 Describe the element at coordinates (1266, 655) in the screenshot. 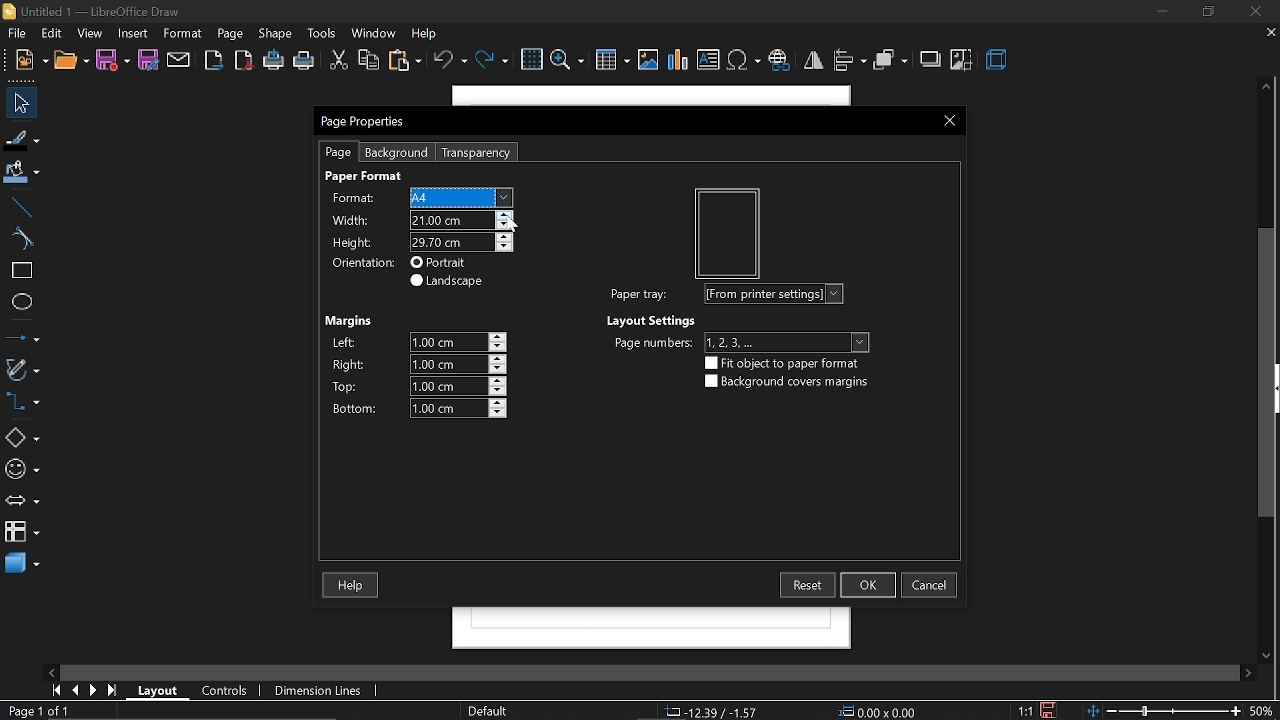

I see `move down` at that location.